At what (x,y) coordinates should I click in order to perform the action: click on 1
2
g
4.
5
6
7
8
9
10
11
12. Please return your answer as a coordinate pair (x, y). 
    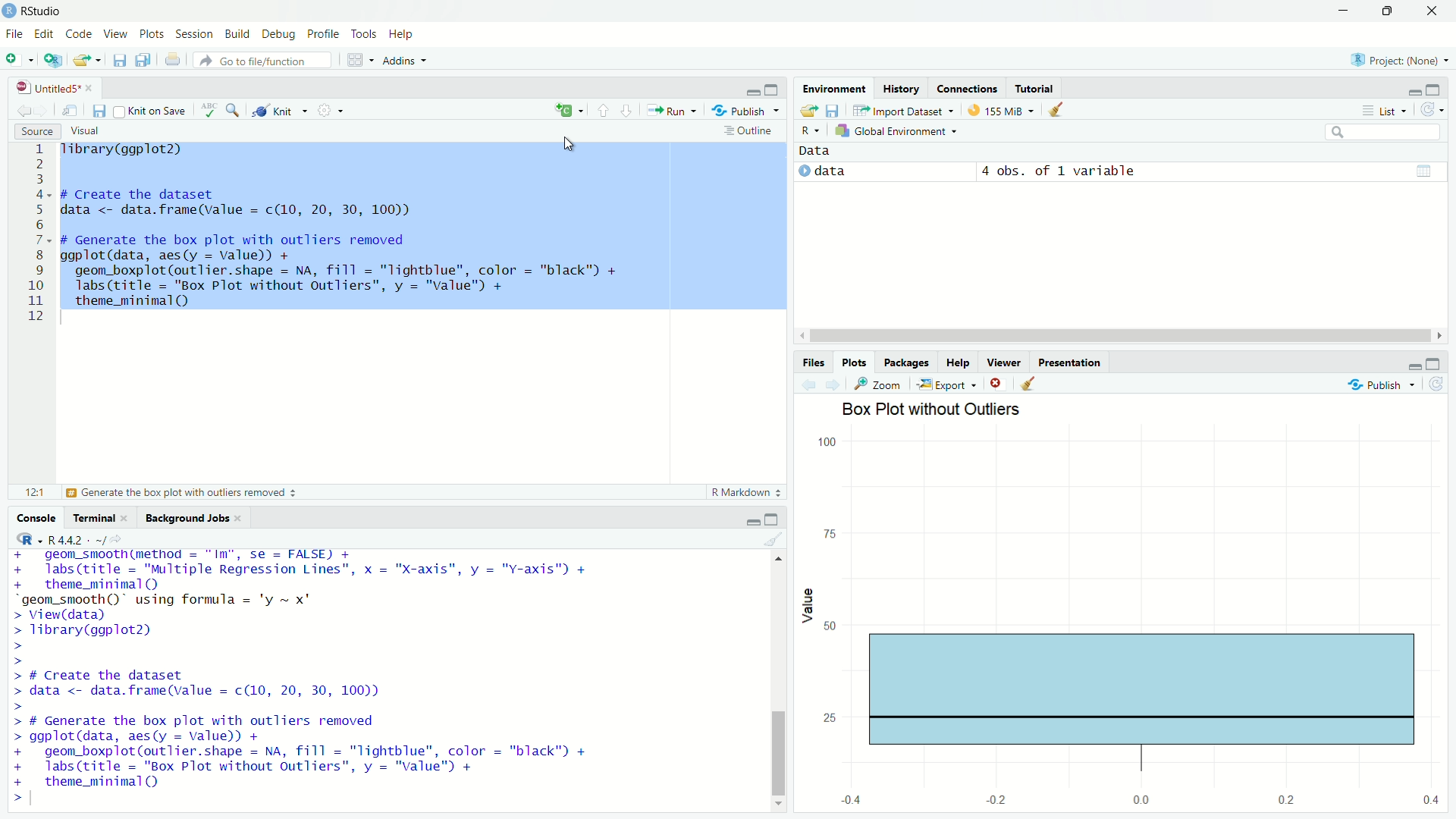
    Looking at the image, I should click on (36, 233).